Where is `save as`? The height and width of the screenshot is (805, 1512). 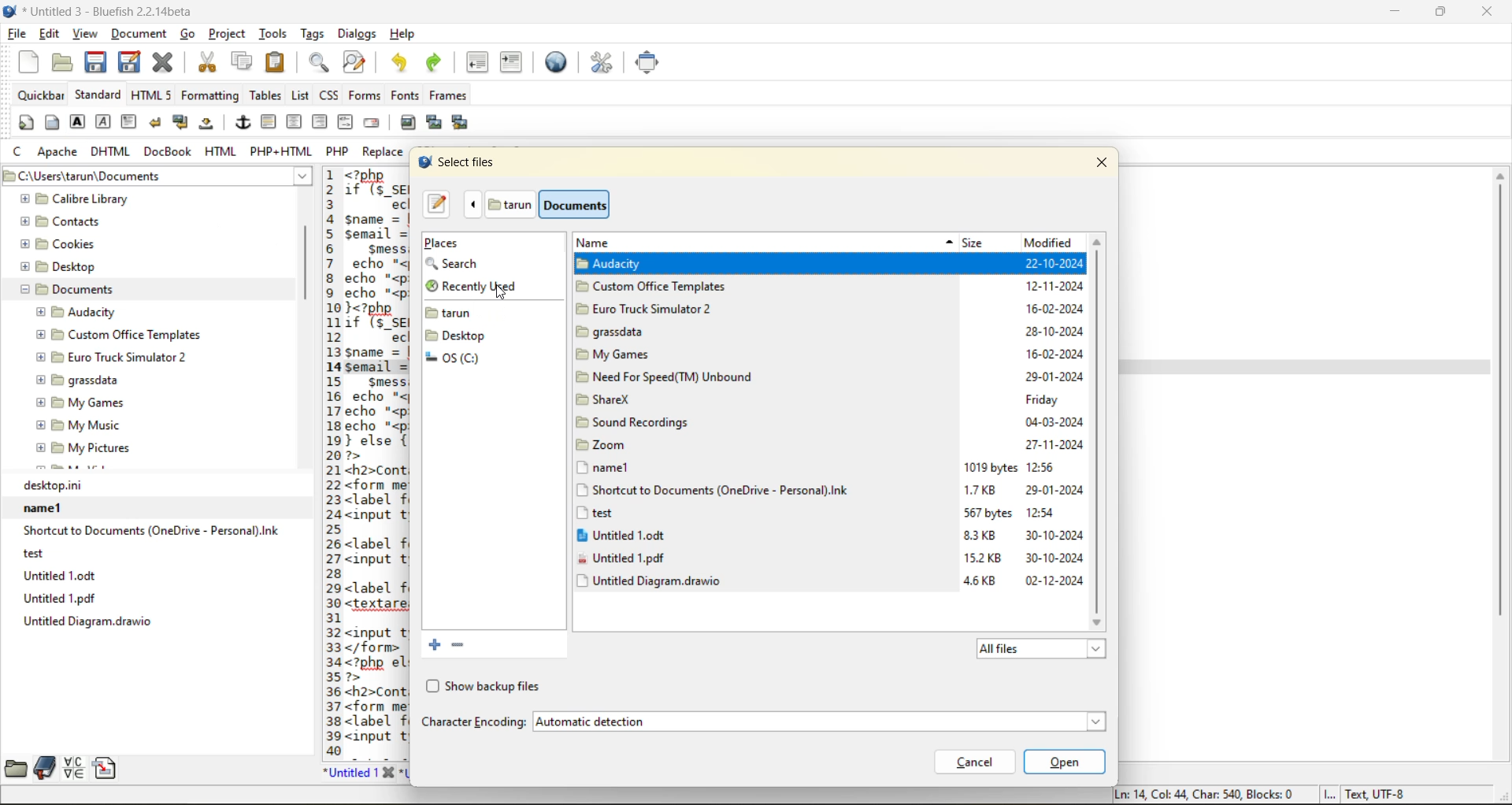
save as is located at coordinates (133, 62).